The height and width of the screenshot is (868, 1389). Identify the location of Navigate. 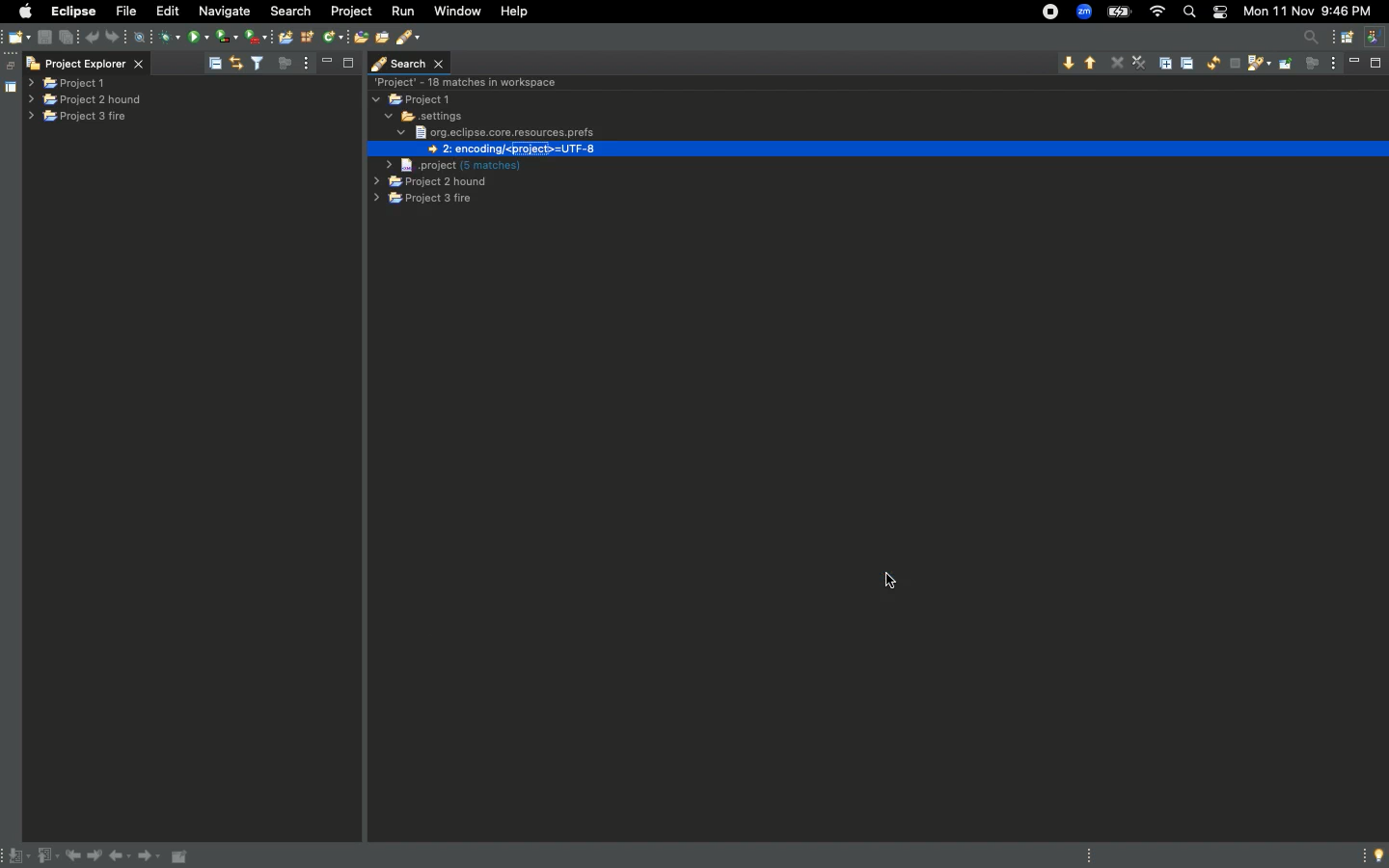
(224, 11).